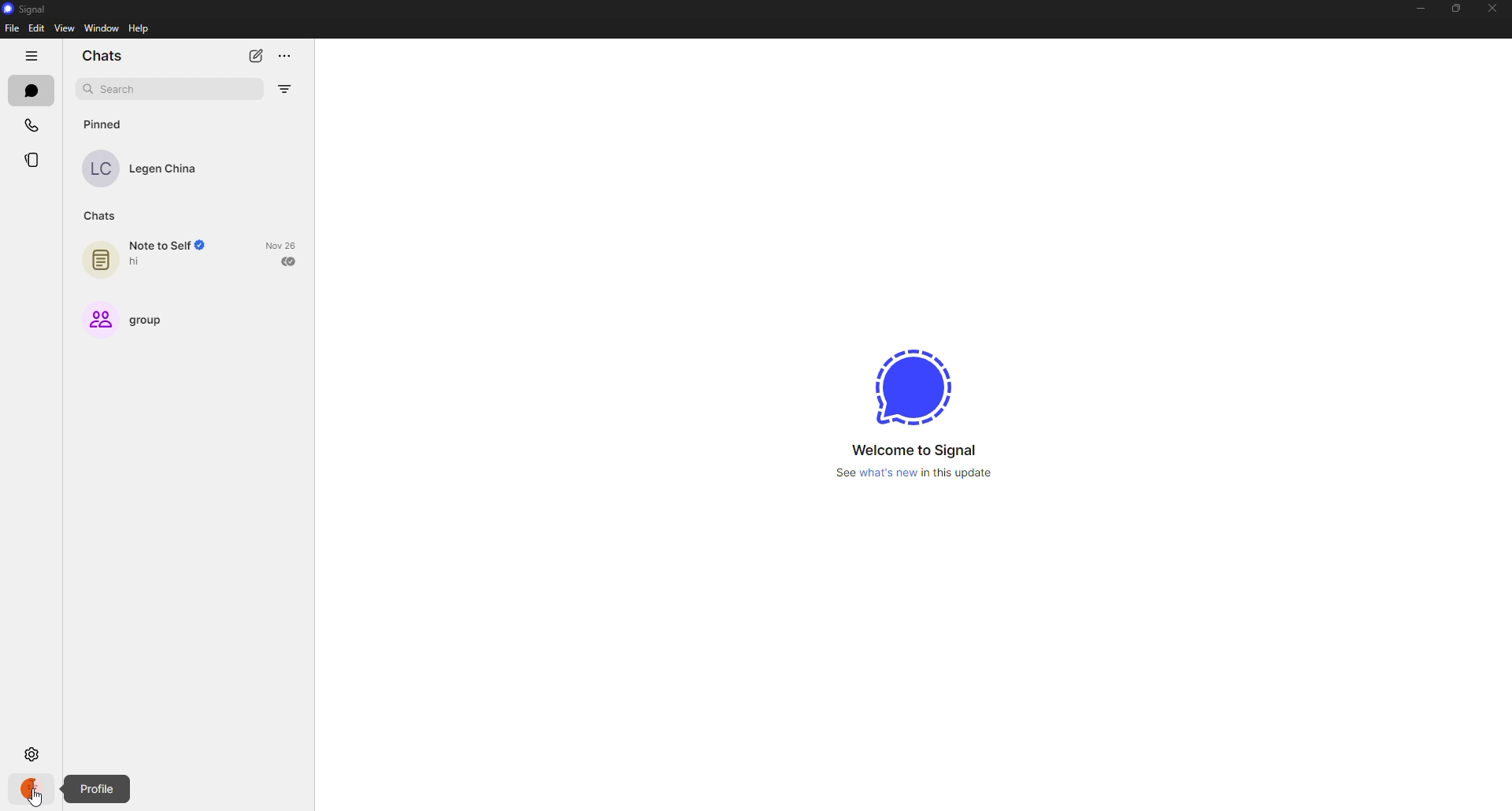 The width and height of the screenshot is (1512, 811). Describe the element at coordinates (39, 799) in the screenshot. I see `cursor` at that location.